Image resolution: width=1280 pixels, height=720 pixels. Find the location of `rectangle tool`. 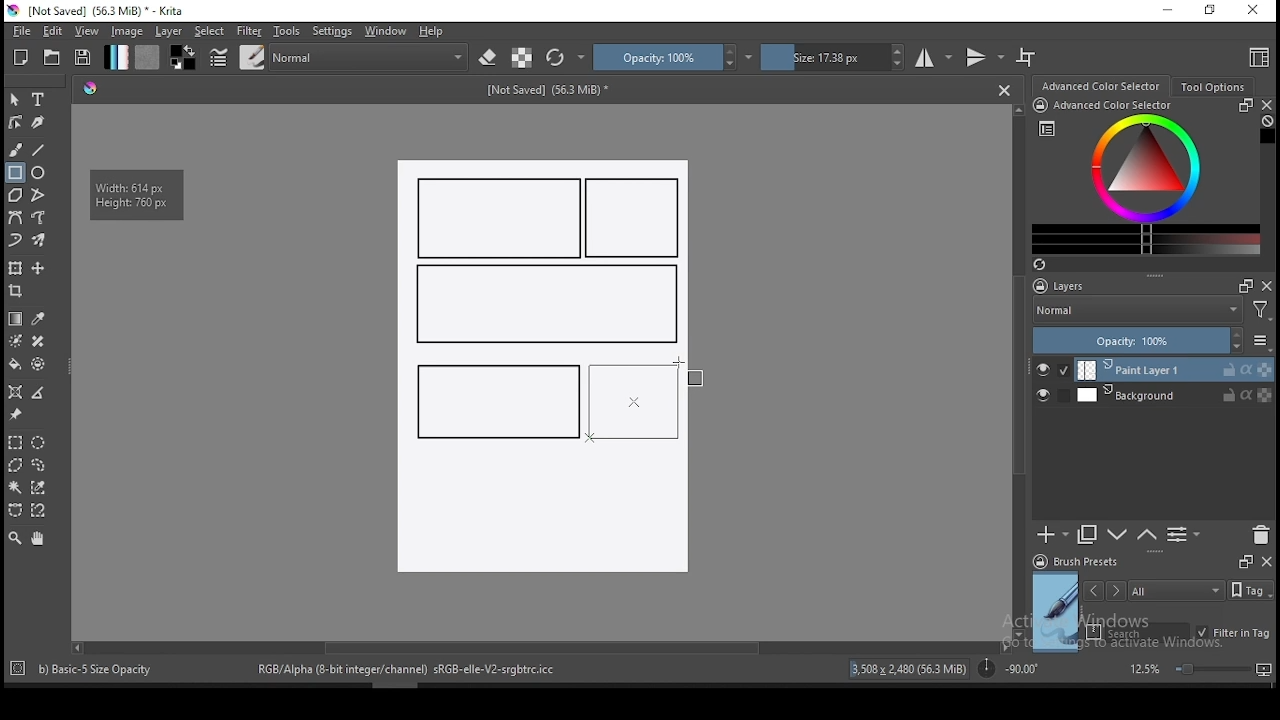

rectangle tool is located at coordinates (15, 173).